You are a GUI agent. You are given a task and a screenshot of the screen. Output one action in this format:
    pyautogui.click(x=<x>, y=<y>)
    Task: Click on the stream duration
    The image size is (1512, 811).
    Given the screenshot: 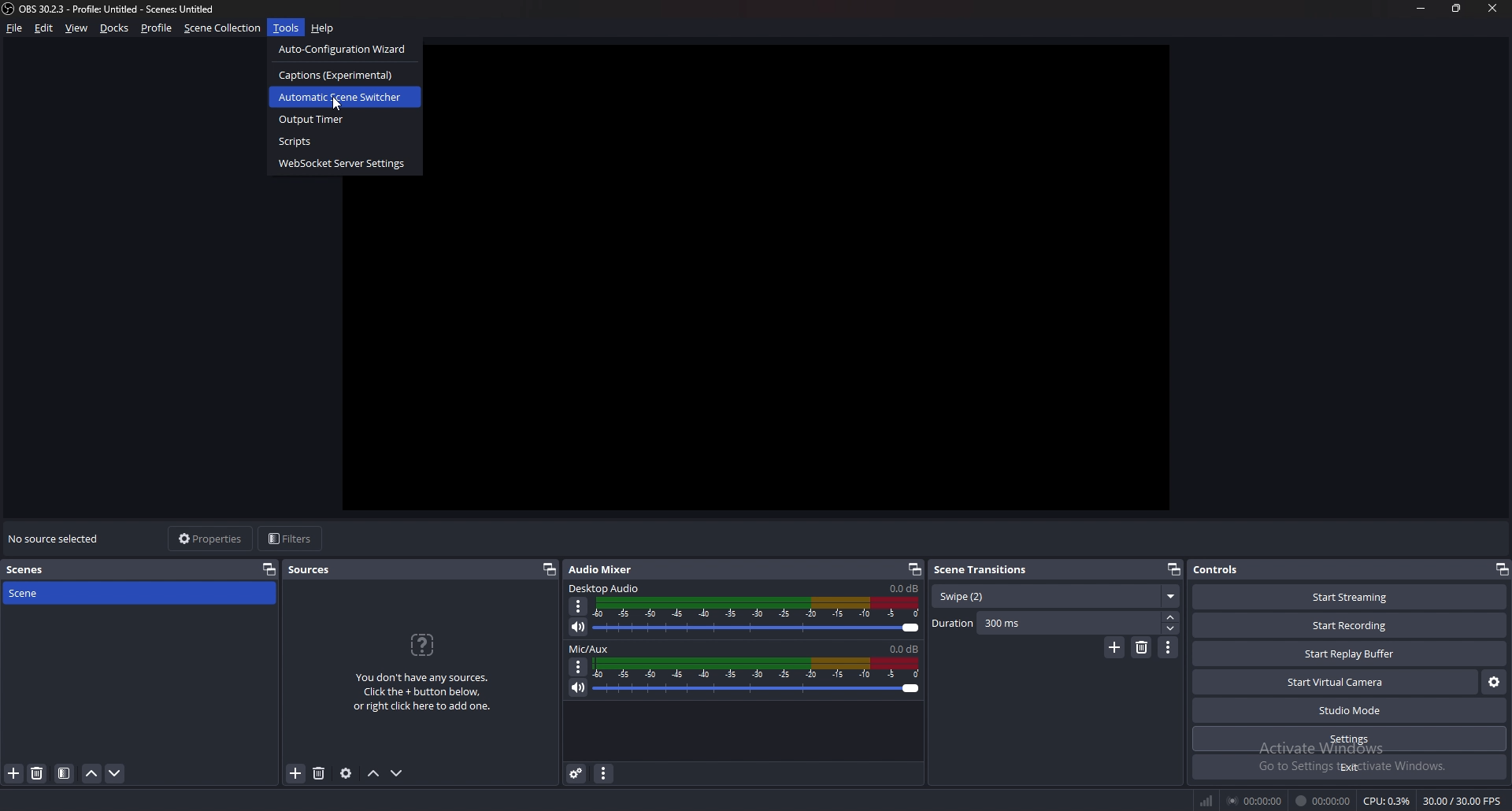 What is the action you would take?
    pyautogui.click(x=1256, y=800)
    